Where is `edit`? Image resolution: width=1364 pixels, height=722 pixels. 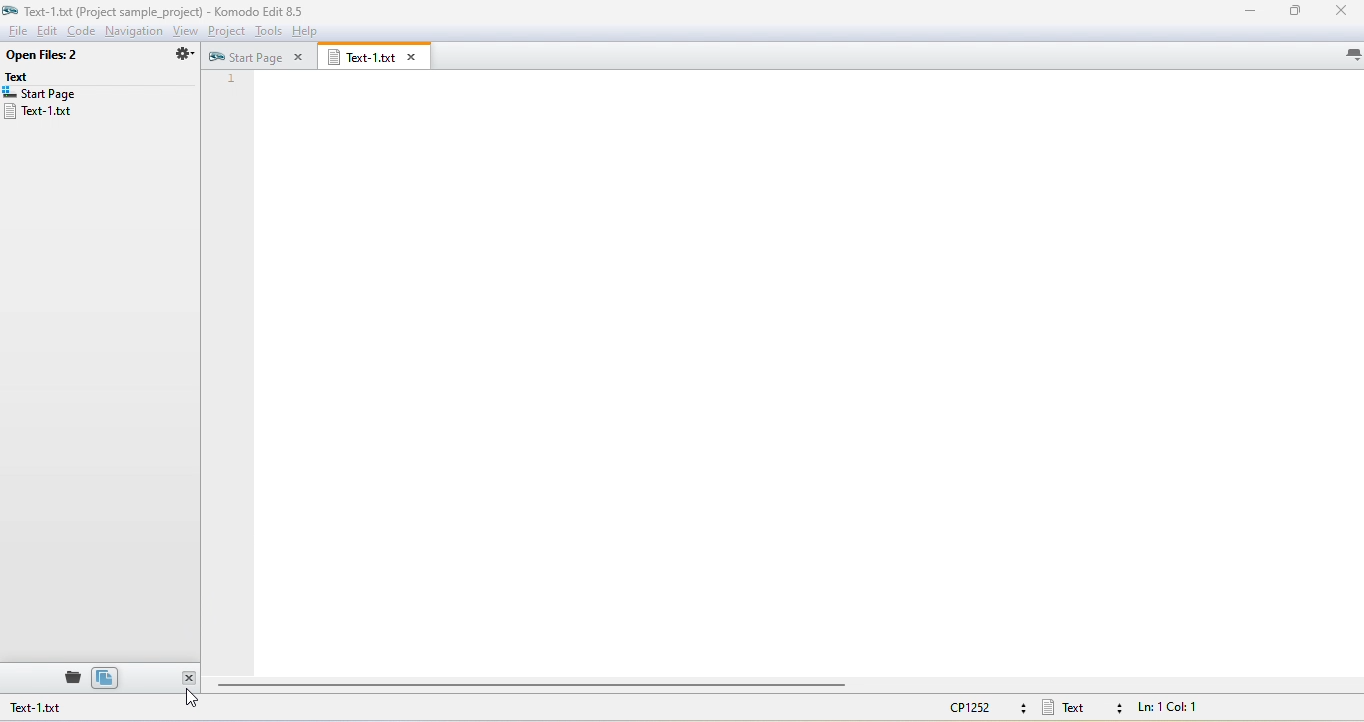
edit is located at coordinates (48, 31).